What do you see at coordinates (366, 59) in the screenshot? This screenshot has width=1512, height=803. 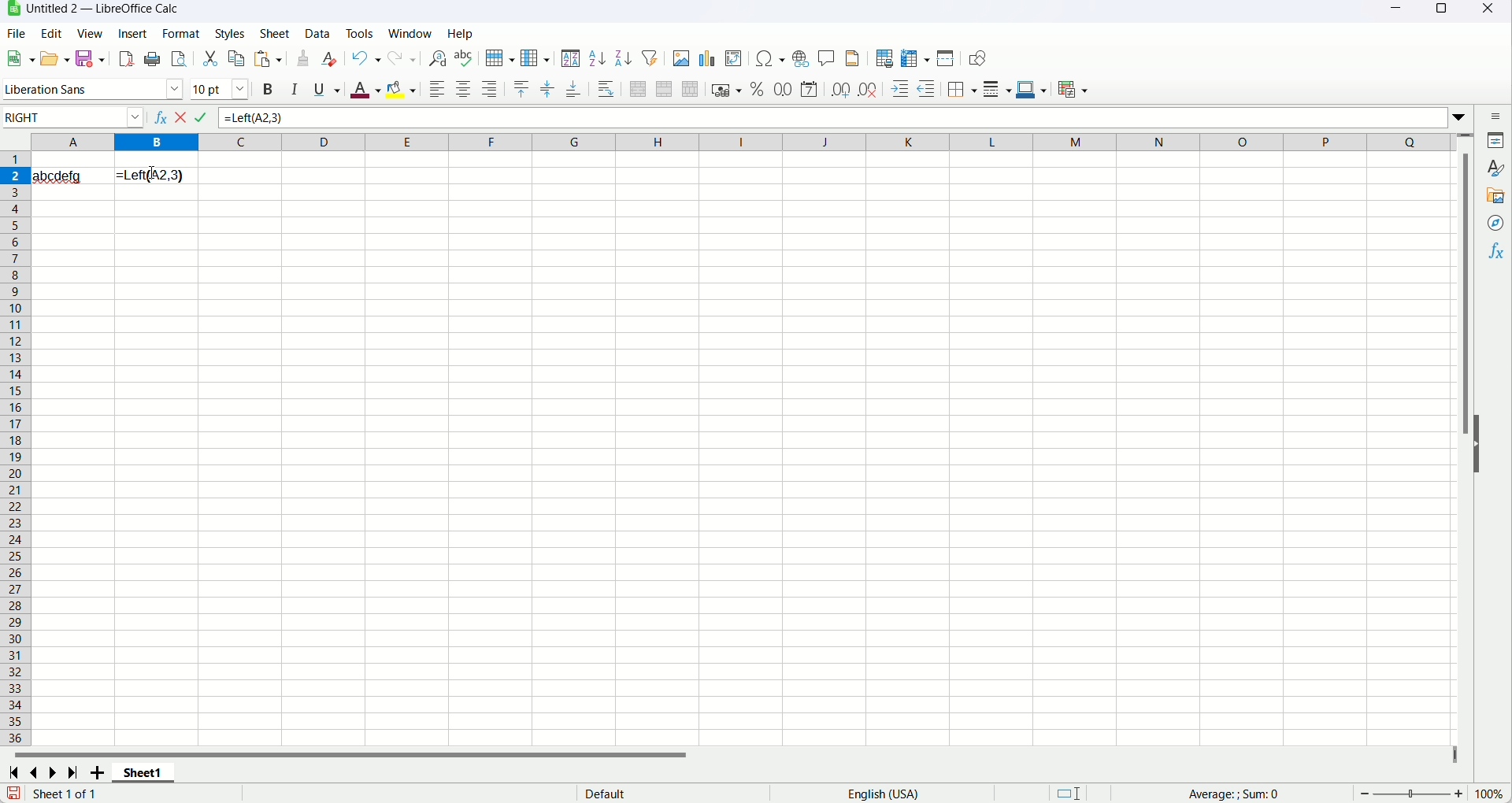 I see `undo` at bounding box center [366, 59].